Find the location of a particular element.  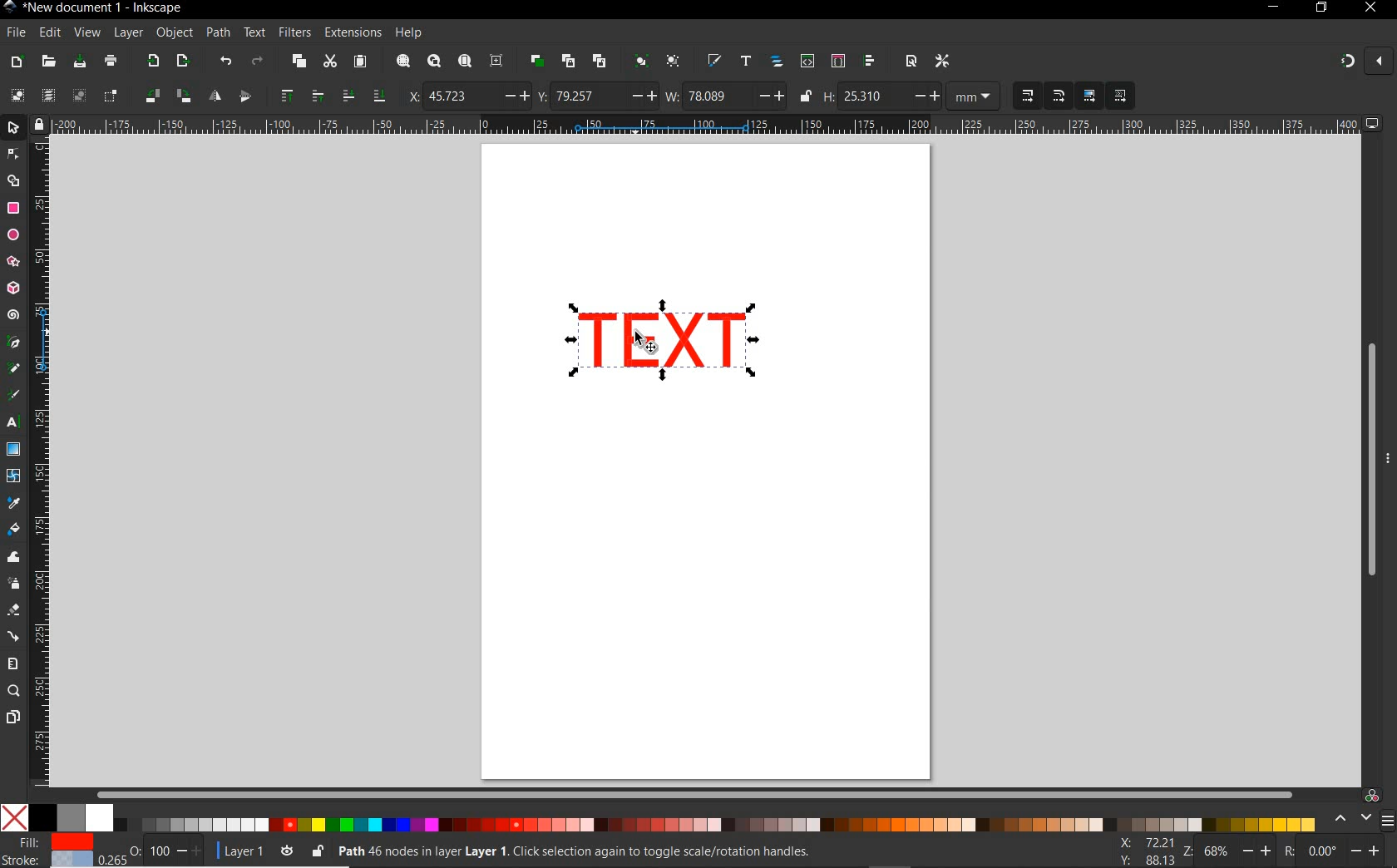

EXTENSIONS is located at coordinates (351, 32).